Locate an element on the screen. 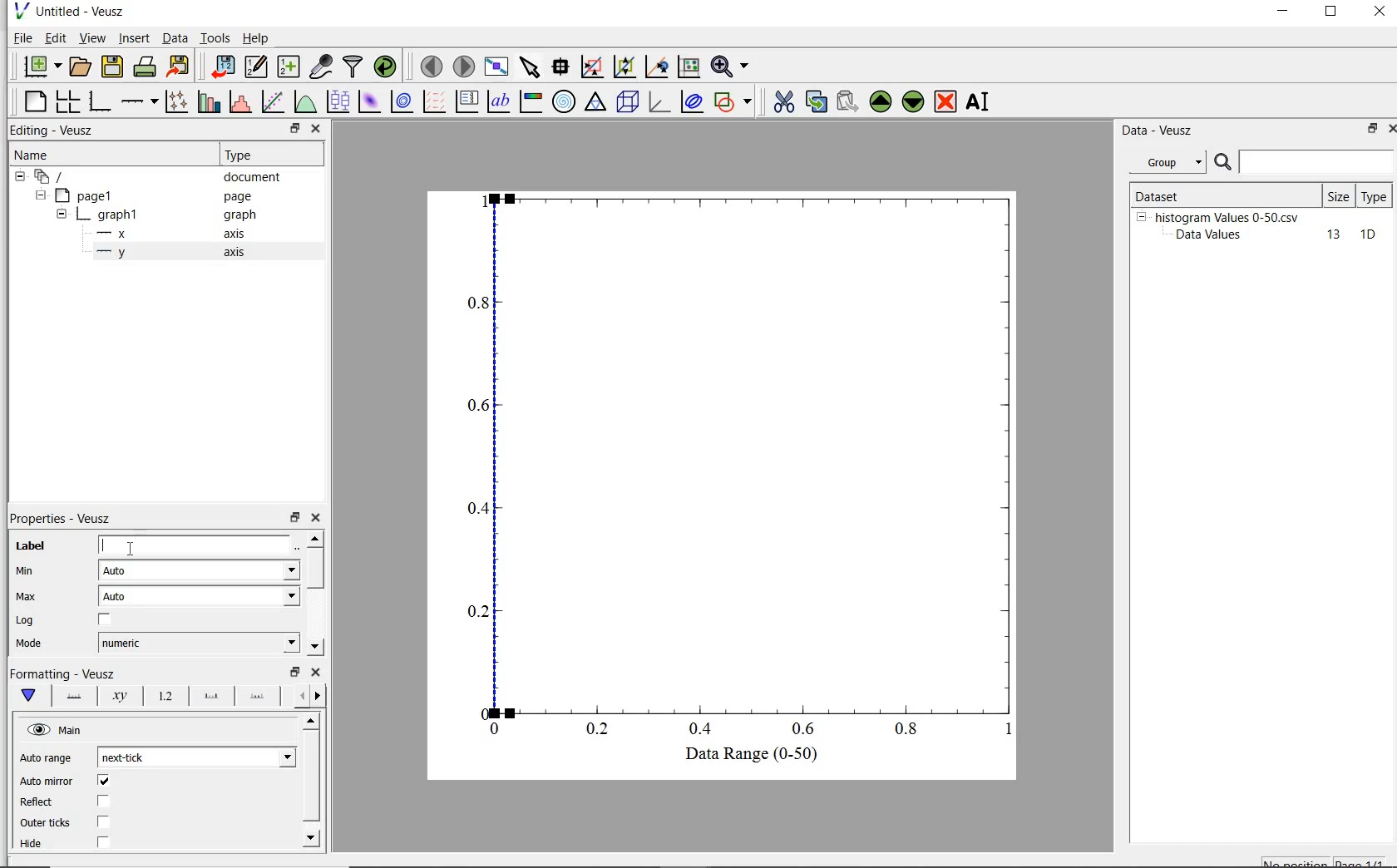 This screenshot has width=1397, height=868. next options is located at coordinates (319, 696).